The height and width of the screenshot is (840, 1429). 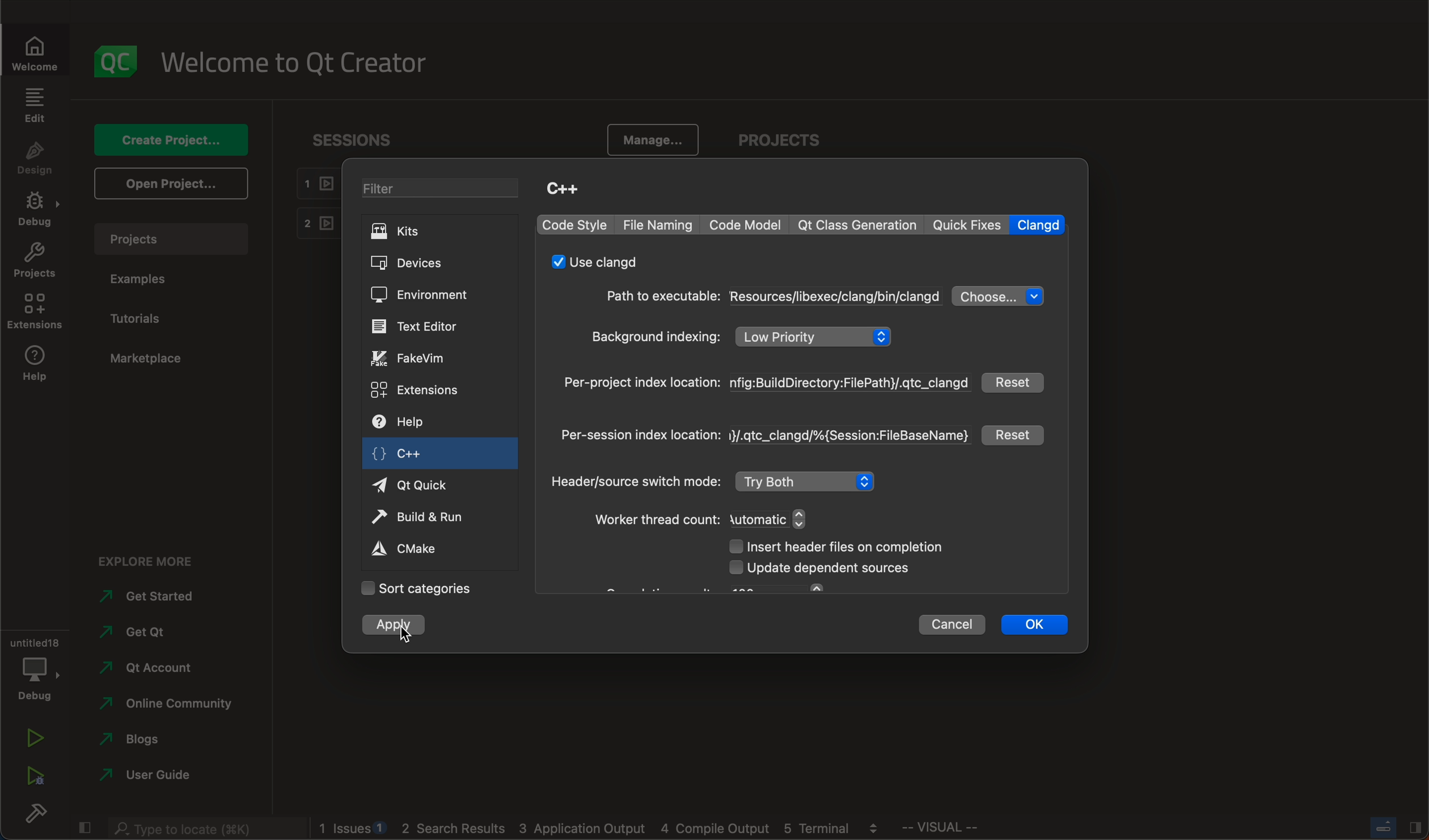 What do you see at coordinates (418, 359) in the screenshot?
I see `fake vim` at bounding box center [418, 359].